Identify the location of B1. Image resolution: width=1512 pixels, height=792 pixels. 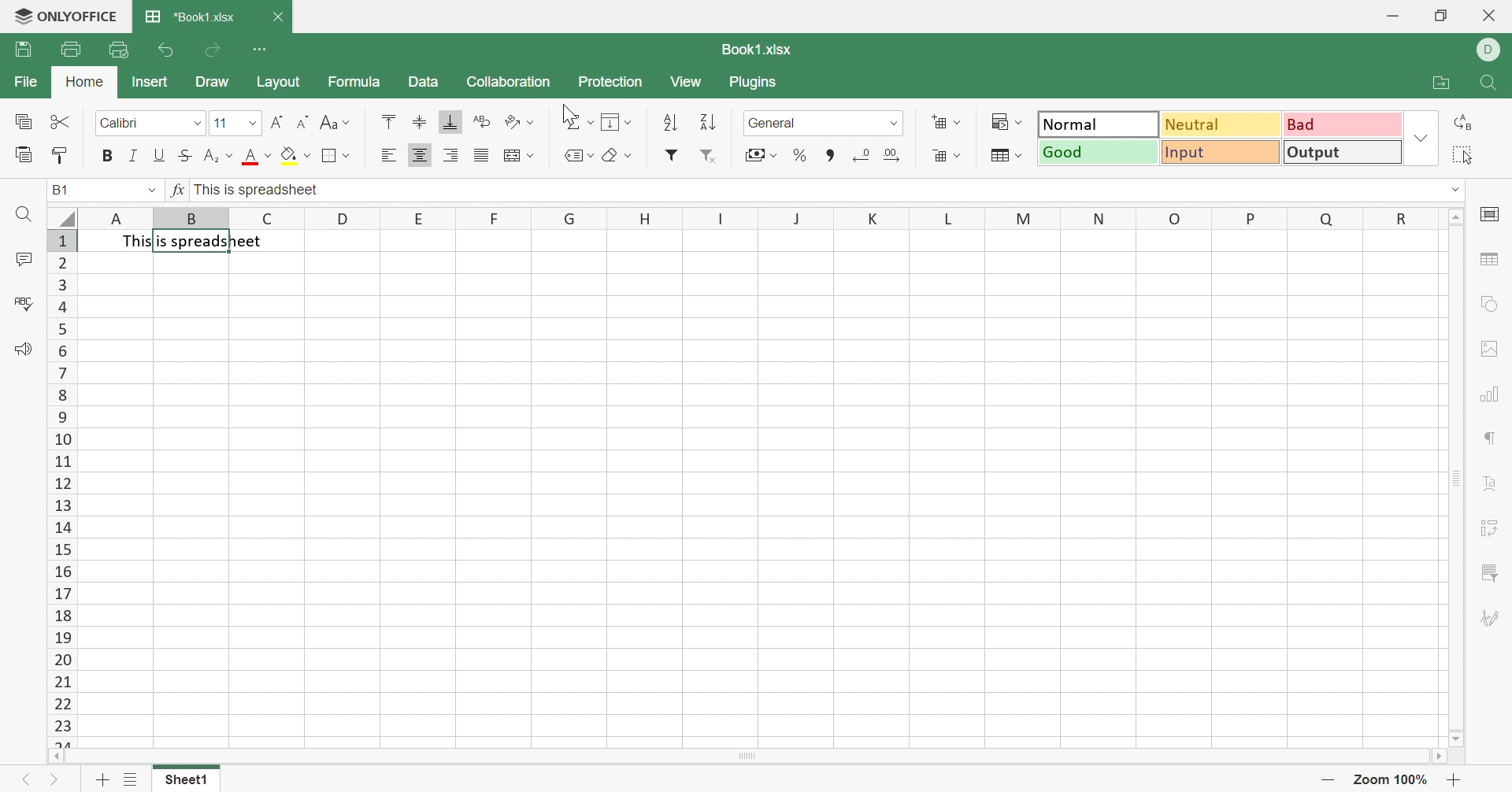
(60, 191).